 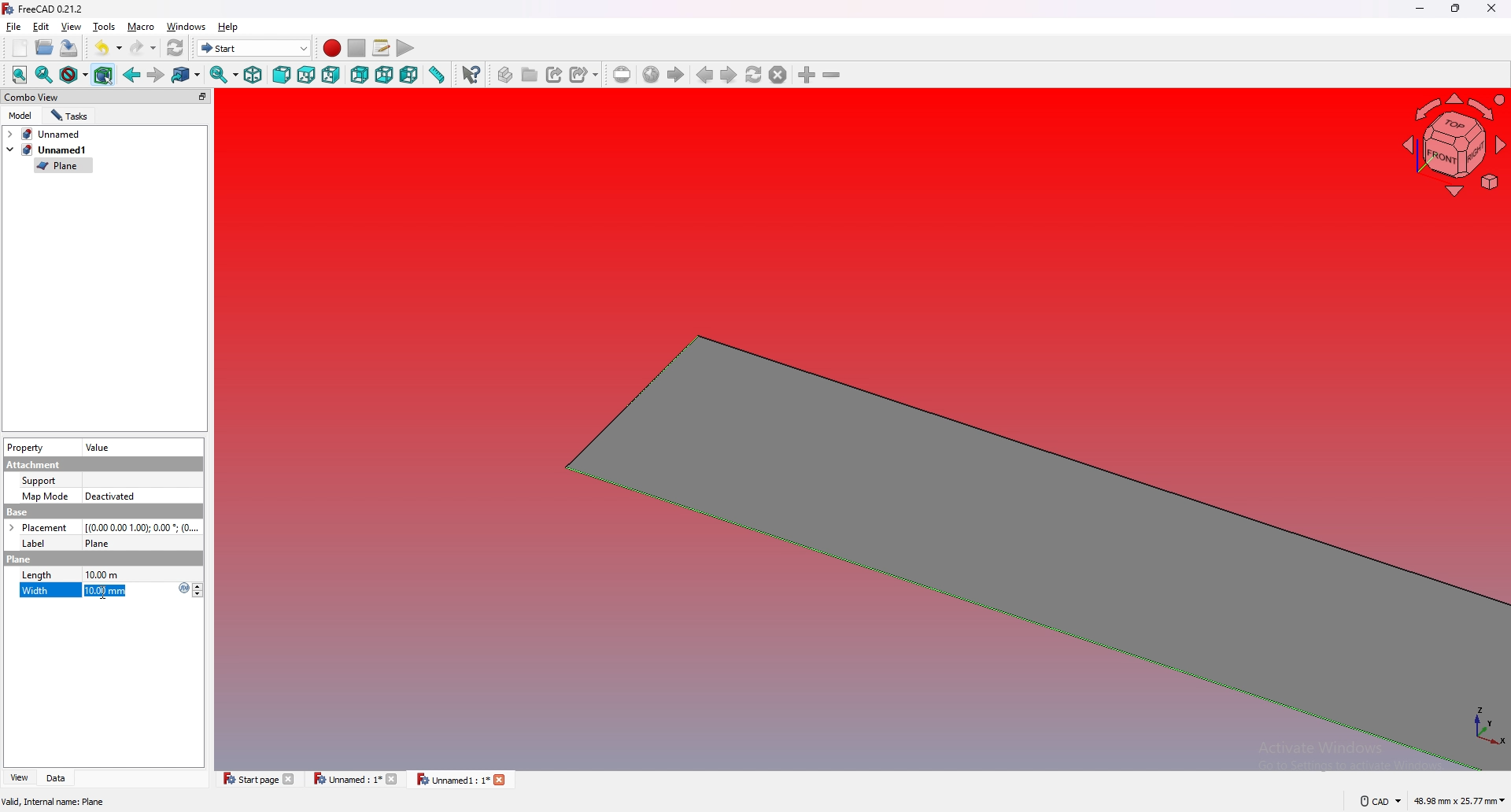 I want to click on macro, so click(x=142, y=26).